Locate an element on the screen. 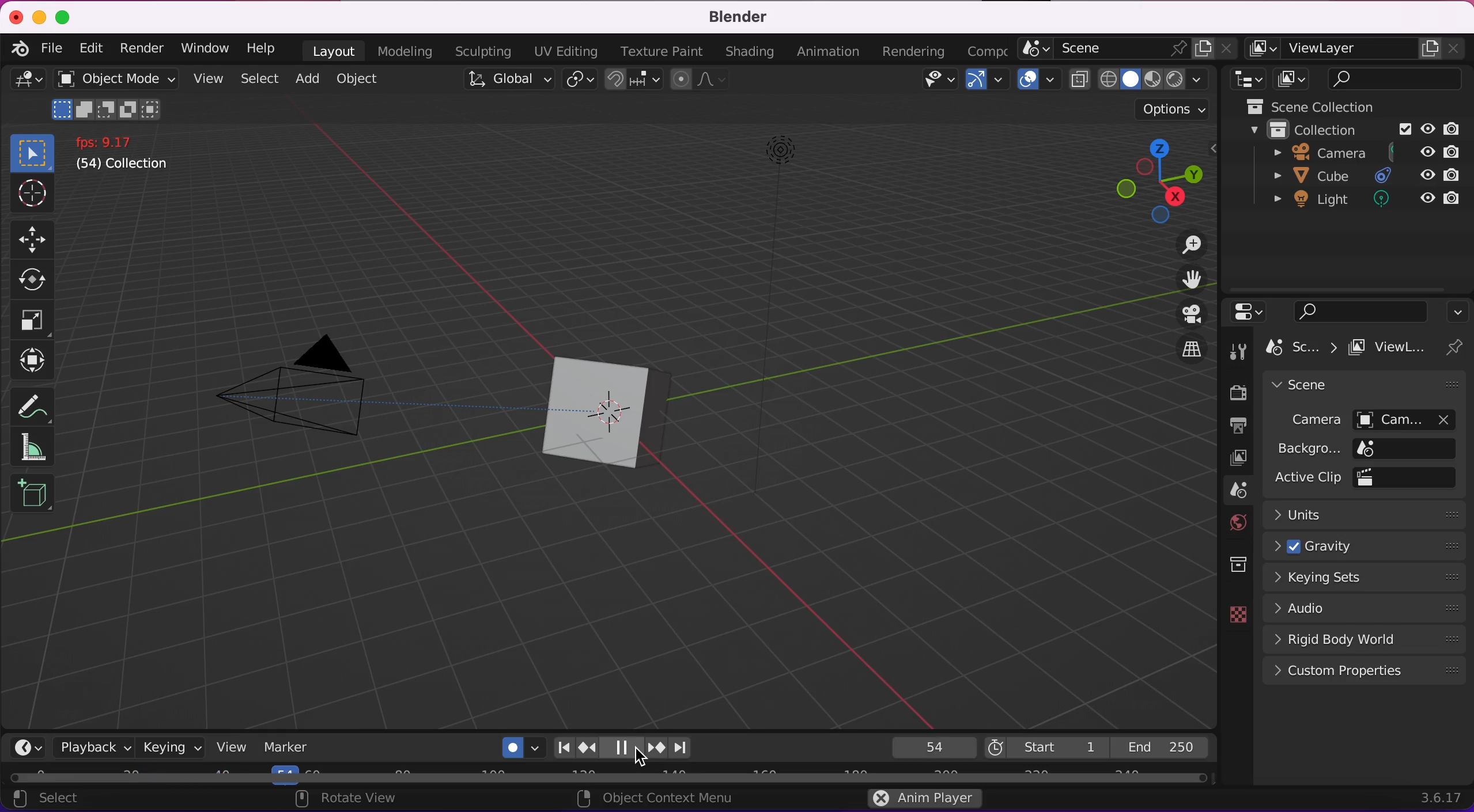 This screenshot has width=1474, height=812. render is located at coordinates (1234, 391).